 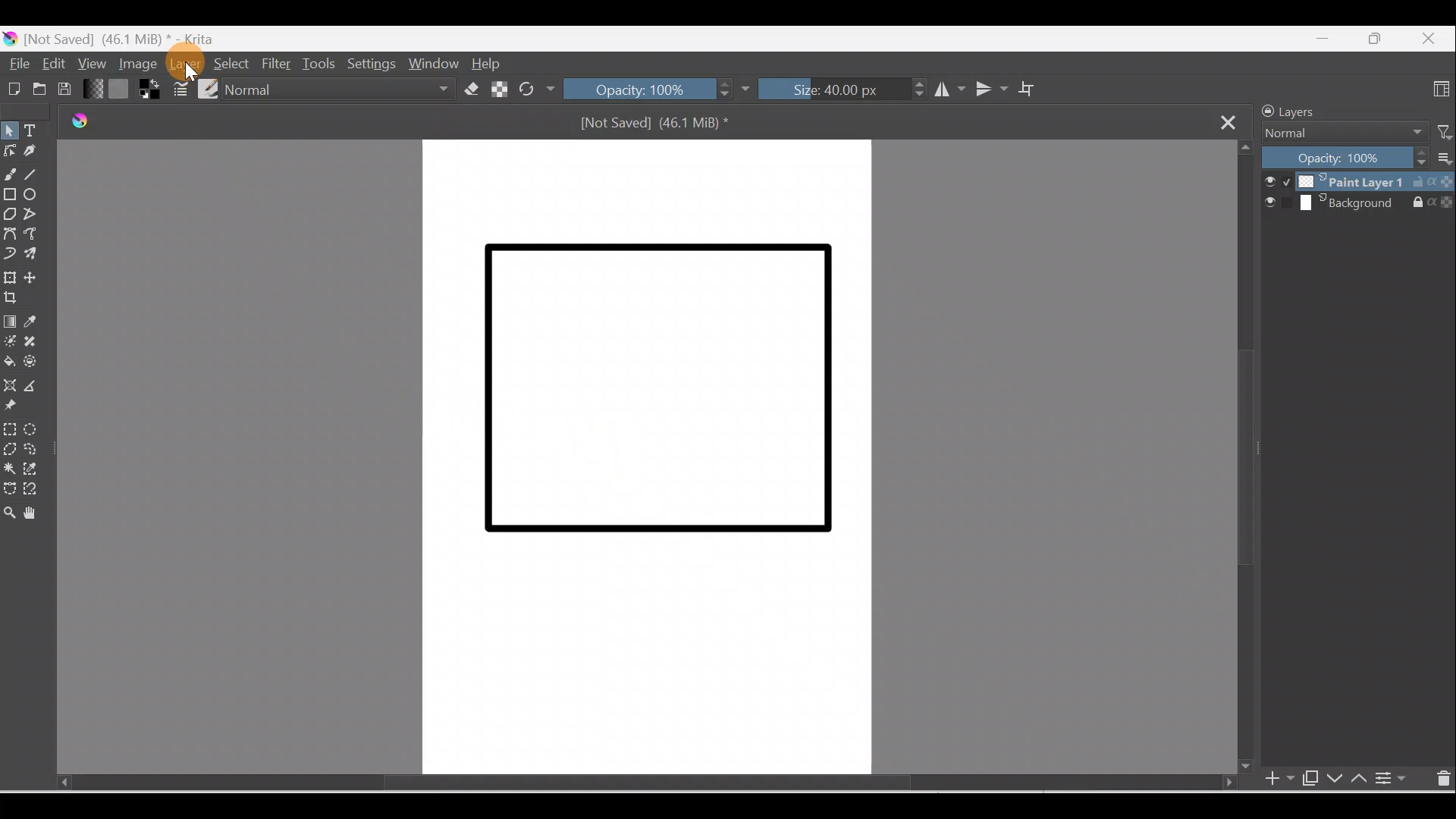 What do you see at coordinates (149, 92) in the screenshot?
I see `Set foreground & background colors` at bounding box center [149, 92].